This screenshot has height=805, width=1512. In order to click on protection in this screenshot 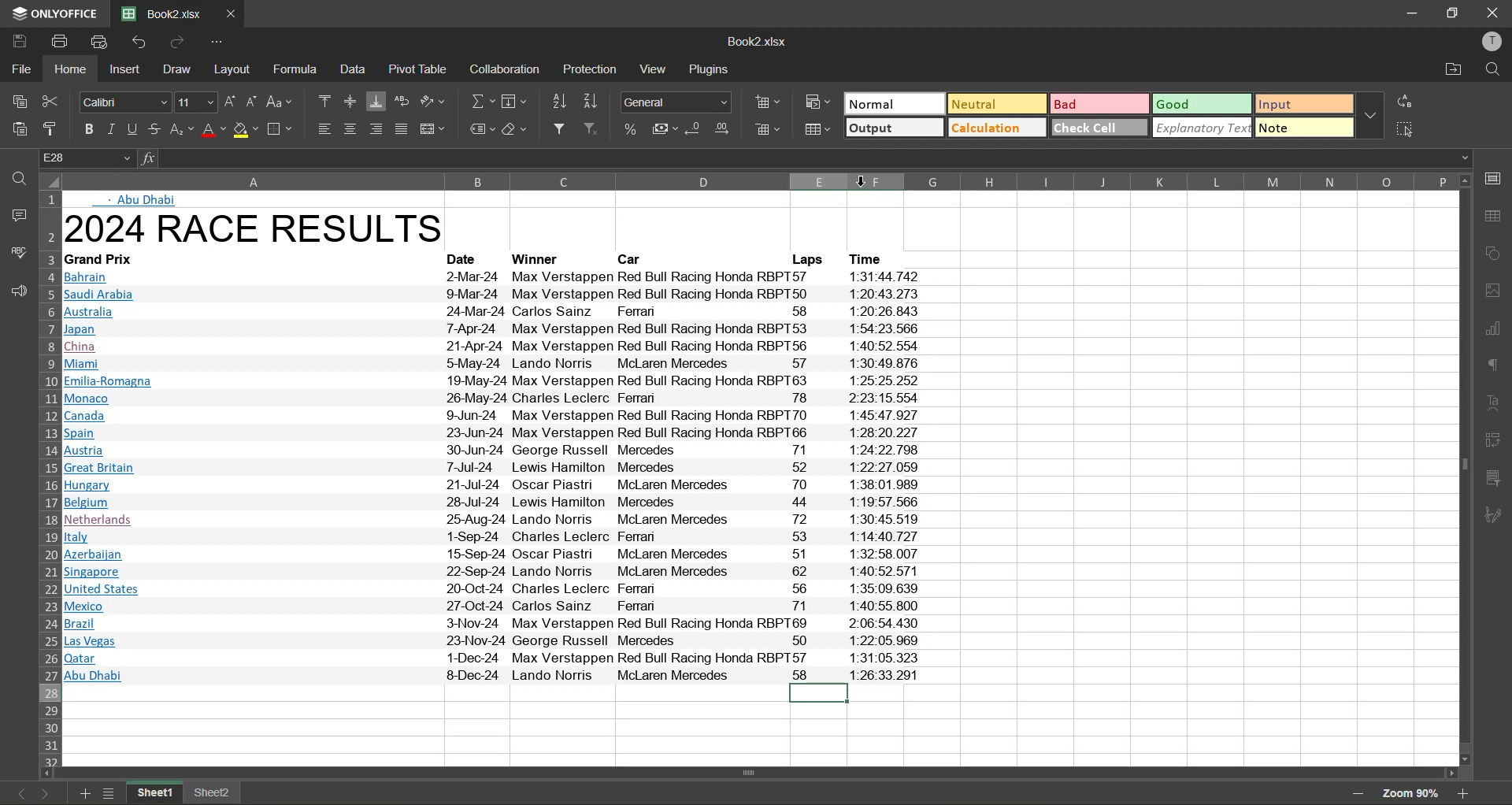, I will do `click(590, 69)`.